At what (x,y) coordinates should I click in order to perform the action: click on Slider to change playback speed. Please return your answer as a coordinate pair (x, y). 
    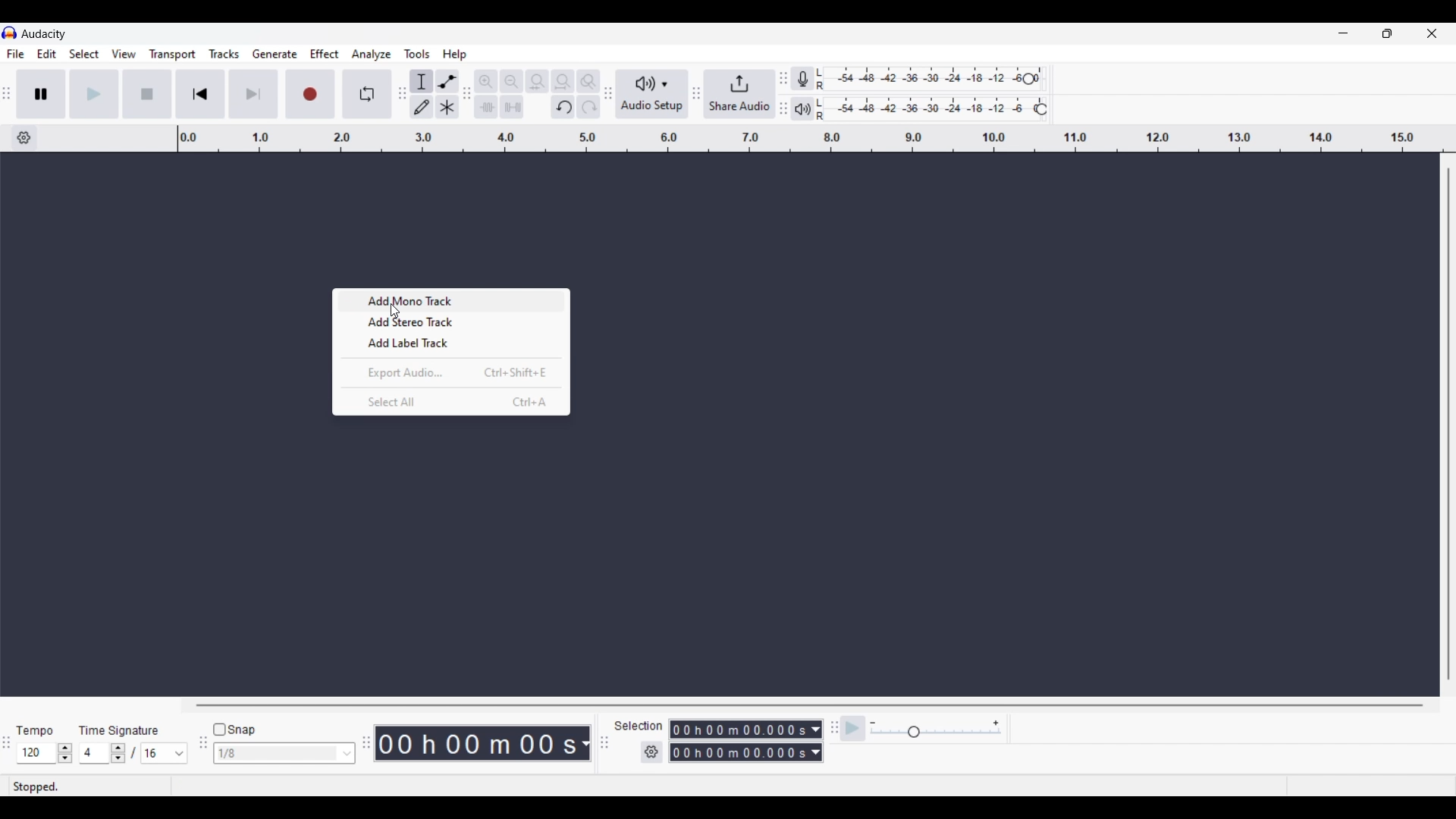
    Looking at the image, I should click on (936, 733).